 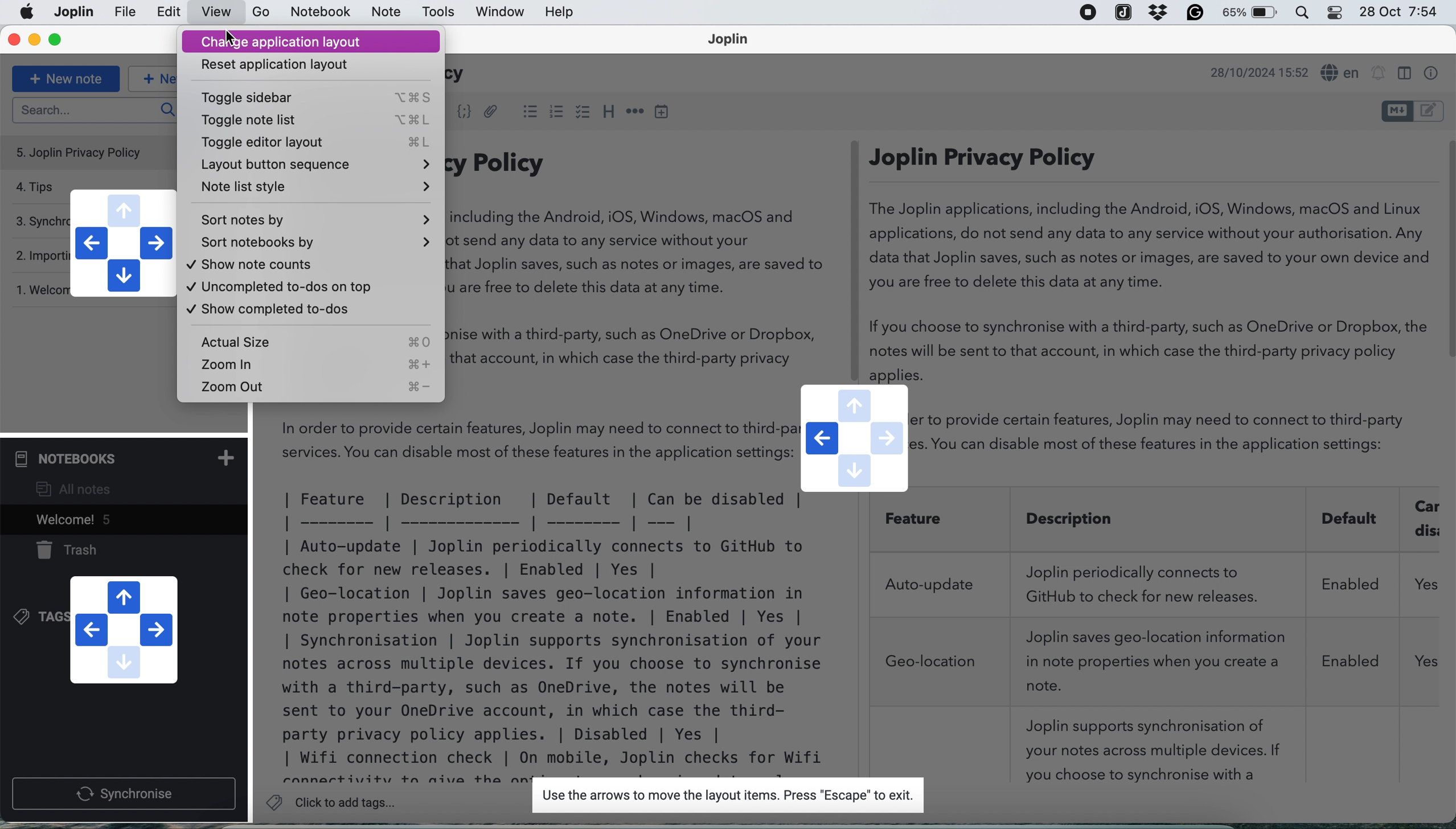 What do you see at coordinates (1252, 14) in the screenshot?
I see `battery` at bounding box center [1252, 14].